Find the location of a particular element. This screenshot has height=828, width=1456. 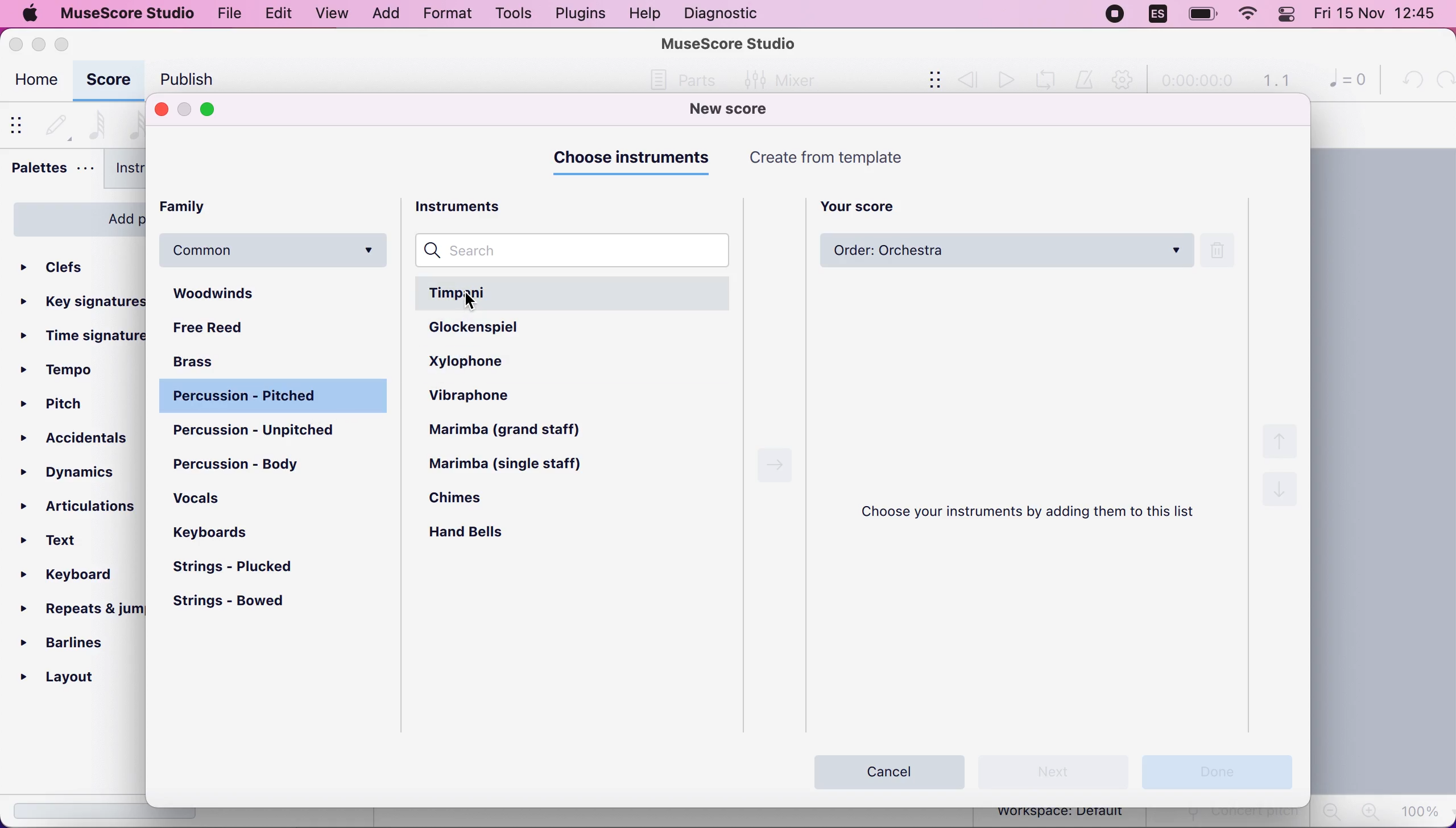

battery is located at coordinates (1198, 15).